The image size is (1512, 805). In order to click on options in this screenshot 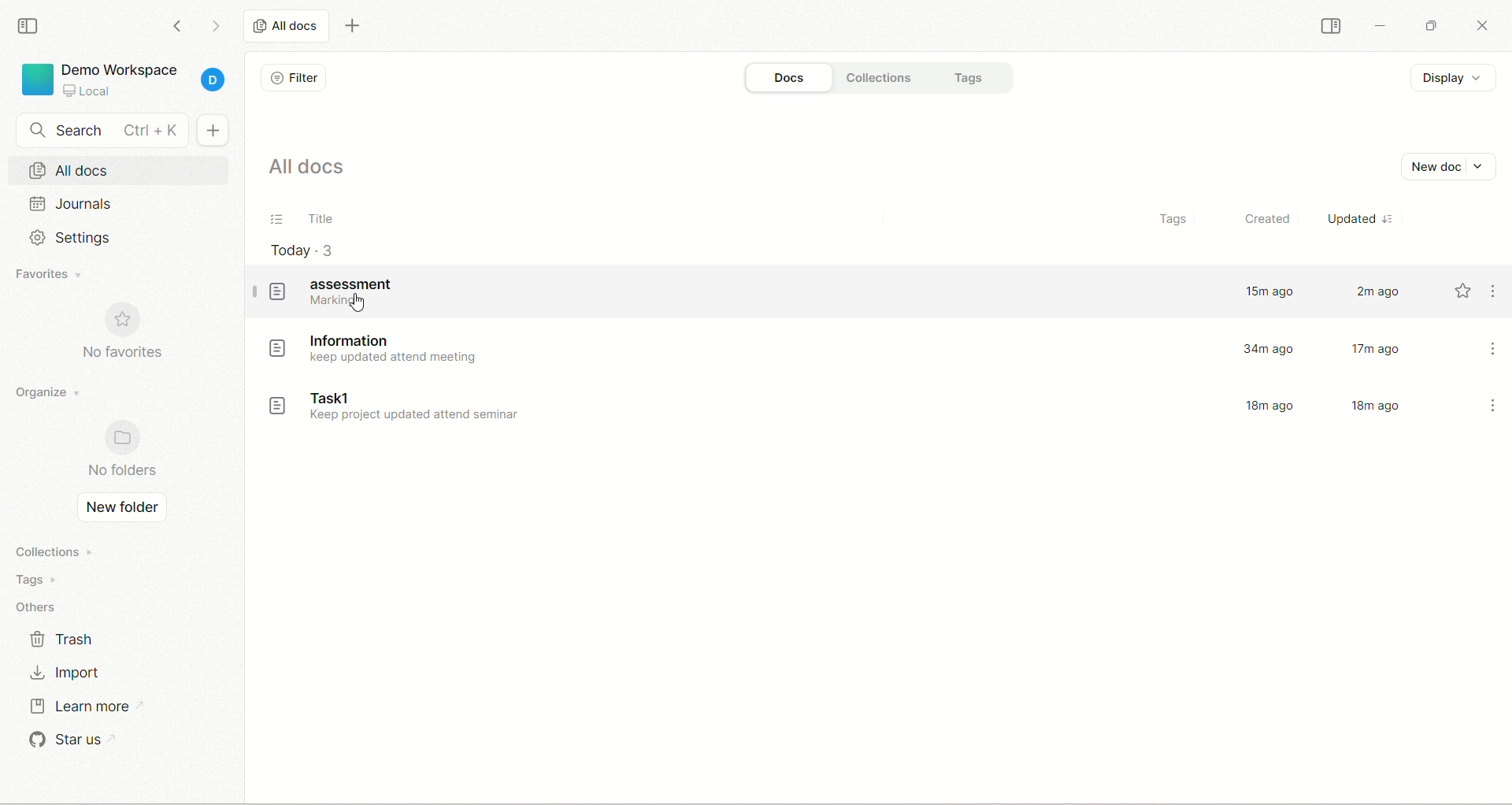, I will do `click(1497, 293)`.